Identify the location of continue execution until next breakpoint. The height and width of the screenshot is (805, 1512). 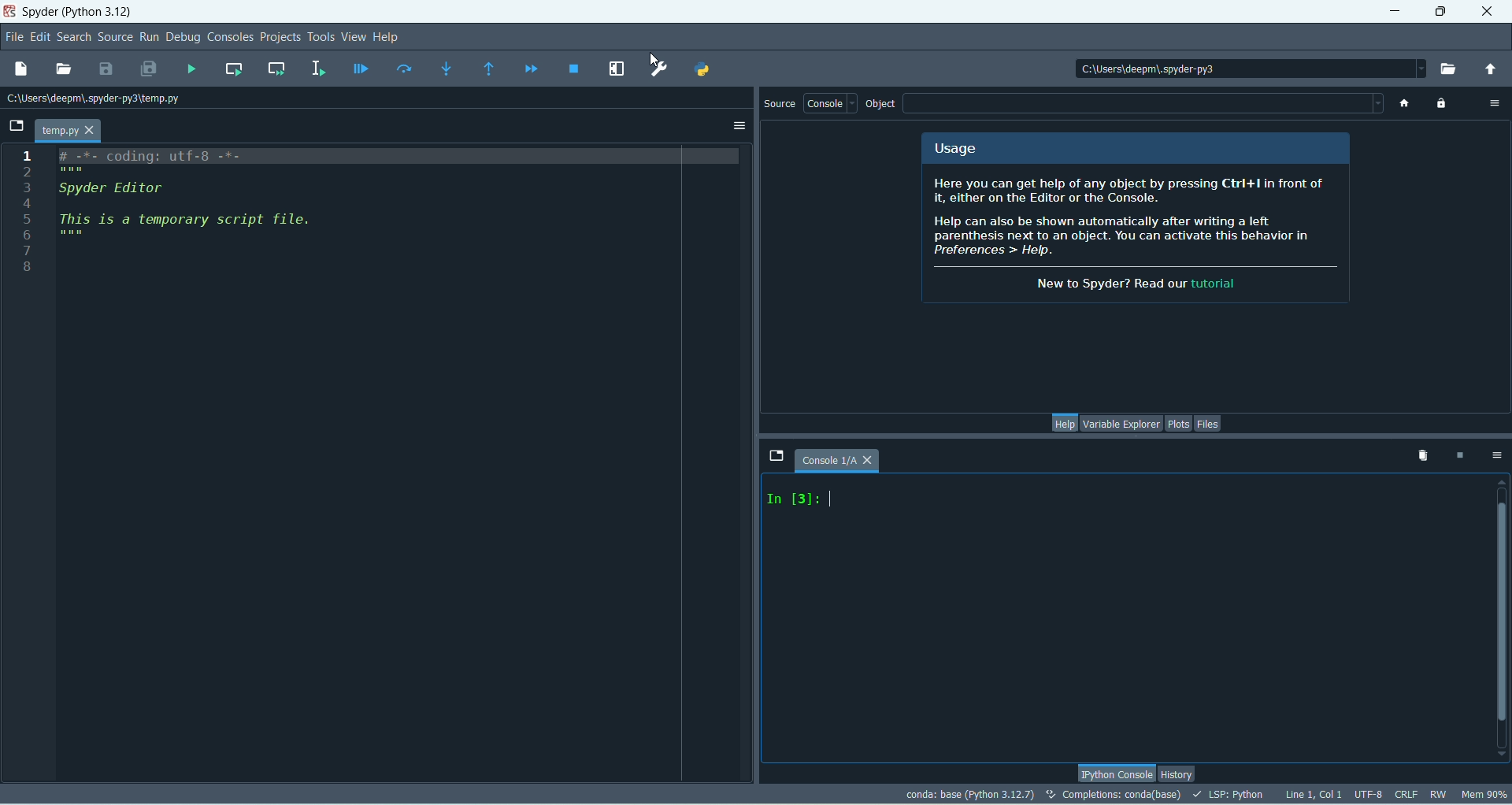
(531, 69).